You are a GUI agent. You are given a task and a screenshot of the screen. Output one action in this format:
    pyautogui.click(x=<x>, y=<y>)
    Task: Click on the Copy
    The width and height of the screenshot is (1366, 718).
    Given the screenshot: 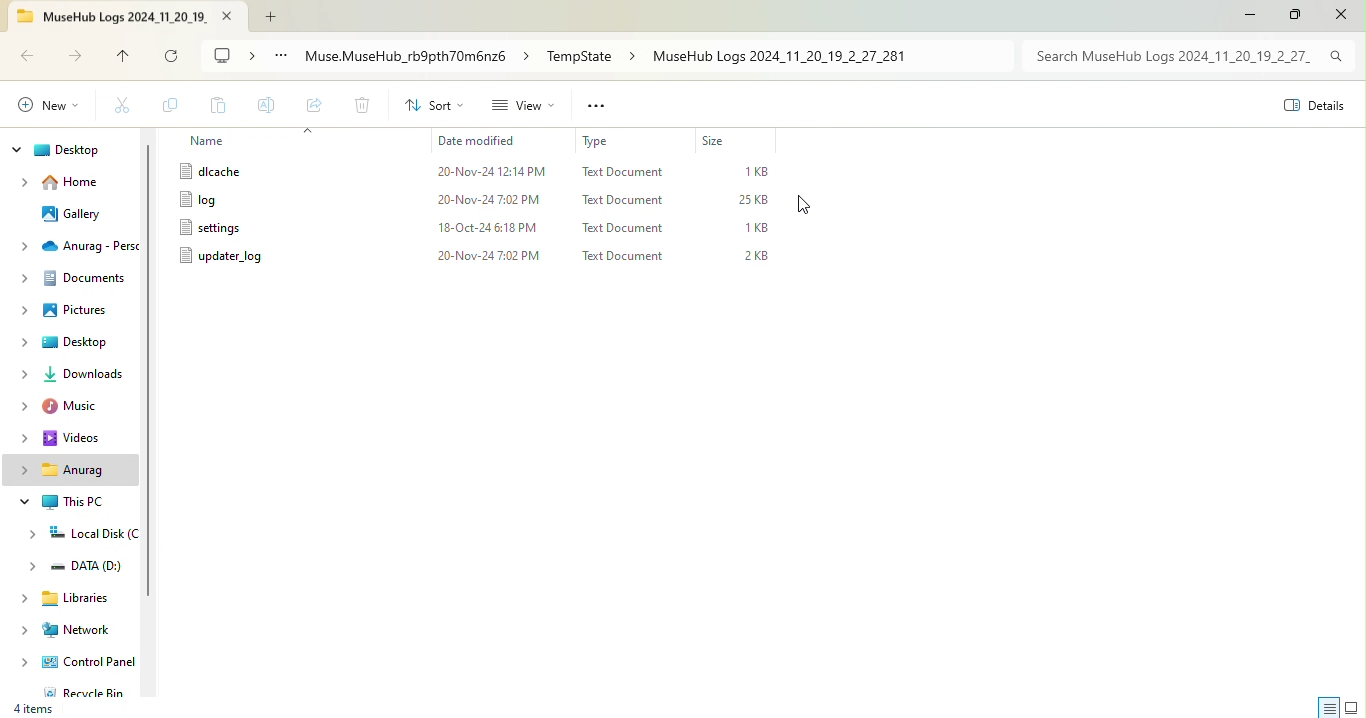 What is the action you would take?
    pyautogui.click(x=174, y=109)
    